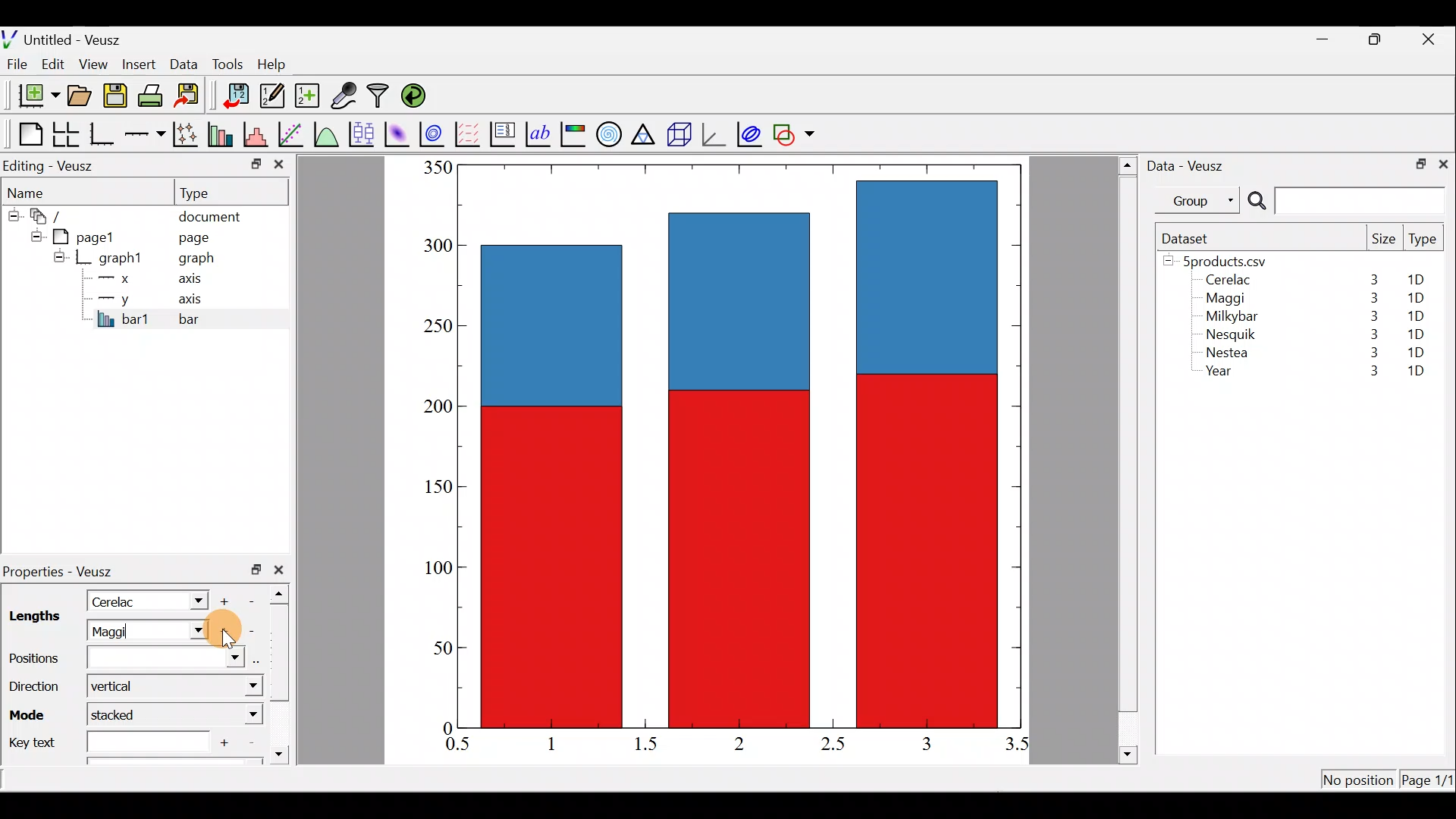  What do you see at coordinates (678, 134) in the screenshot?
I see `3d scene` at bounding box center [678, 134].